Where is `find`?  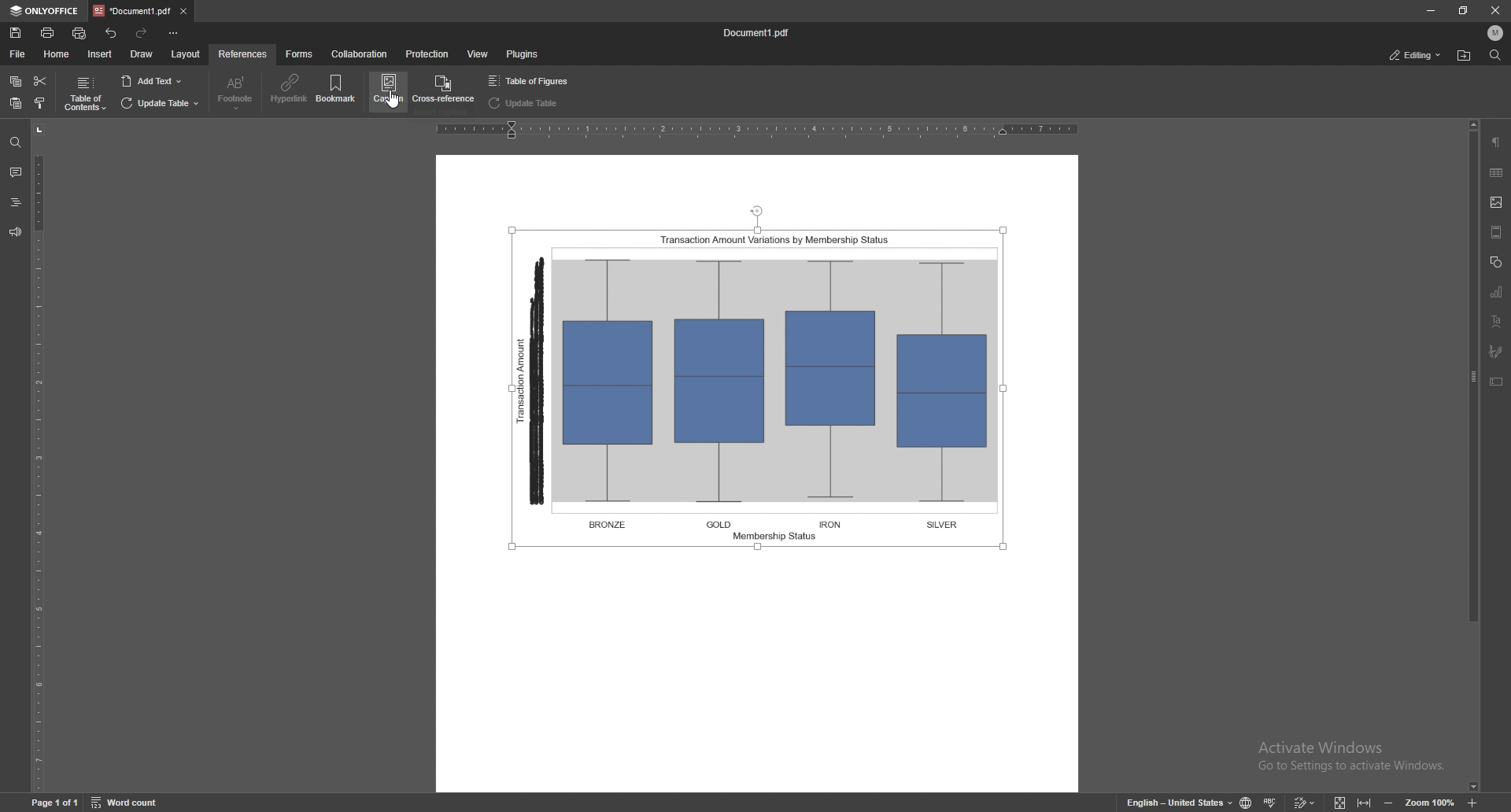 find is located at coordinates (16, 143).